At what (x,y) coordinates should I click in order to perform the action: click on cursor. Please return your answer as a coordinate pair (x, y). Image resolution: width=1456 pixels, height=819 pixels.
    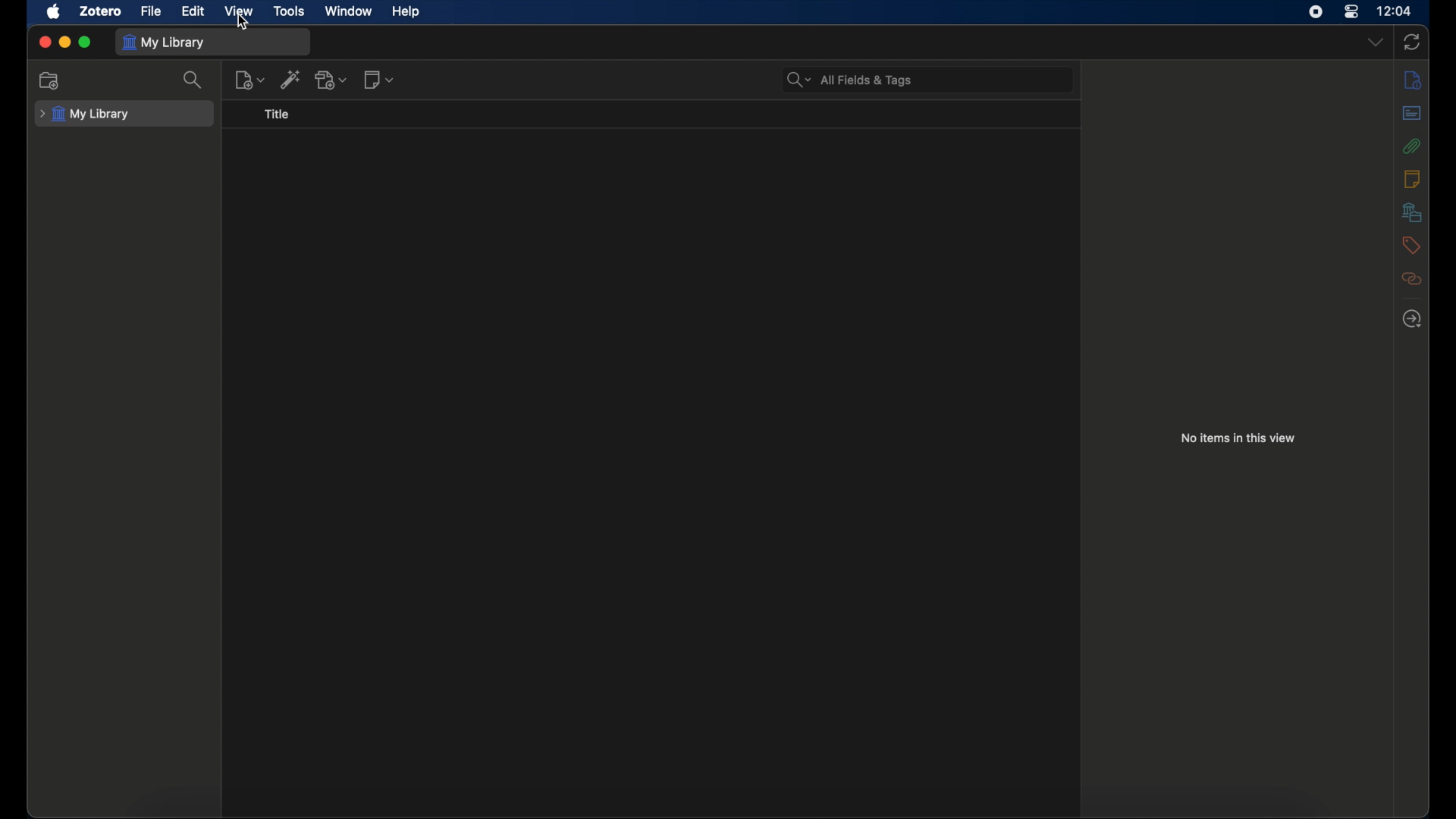
    Looking at the image, I should click on (243, 24).